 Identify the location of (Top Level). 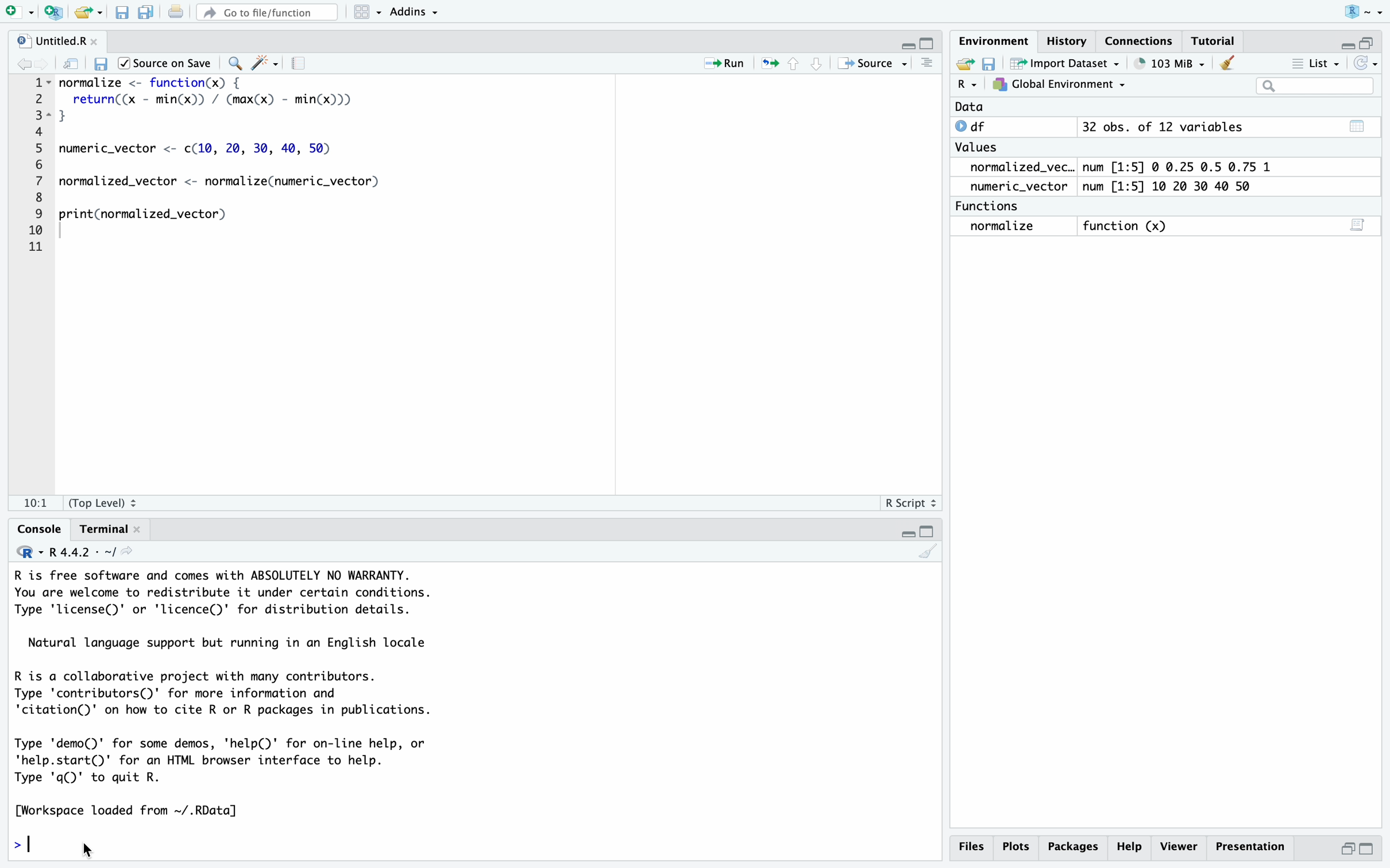
(108, 501).